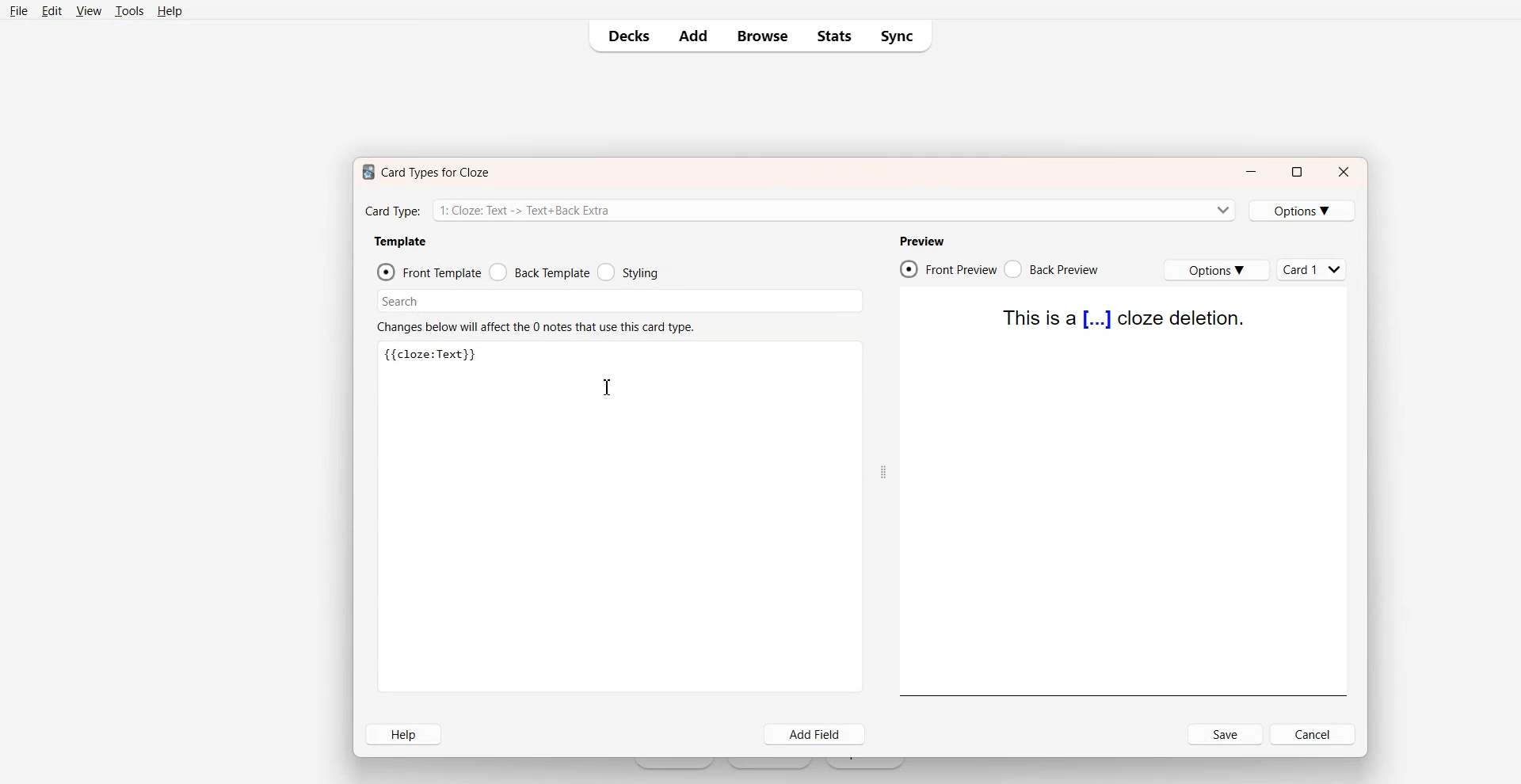 The width and height of the screenshot is (1521, 784). What do you see at coordinates (19, 10) in the screenshot?
I see `File` at bounding box center [19, 10].